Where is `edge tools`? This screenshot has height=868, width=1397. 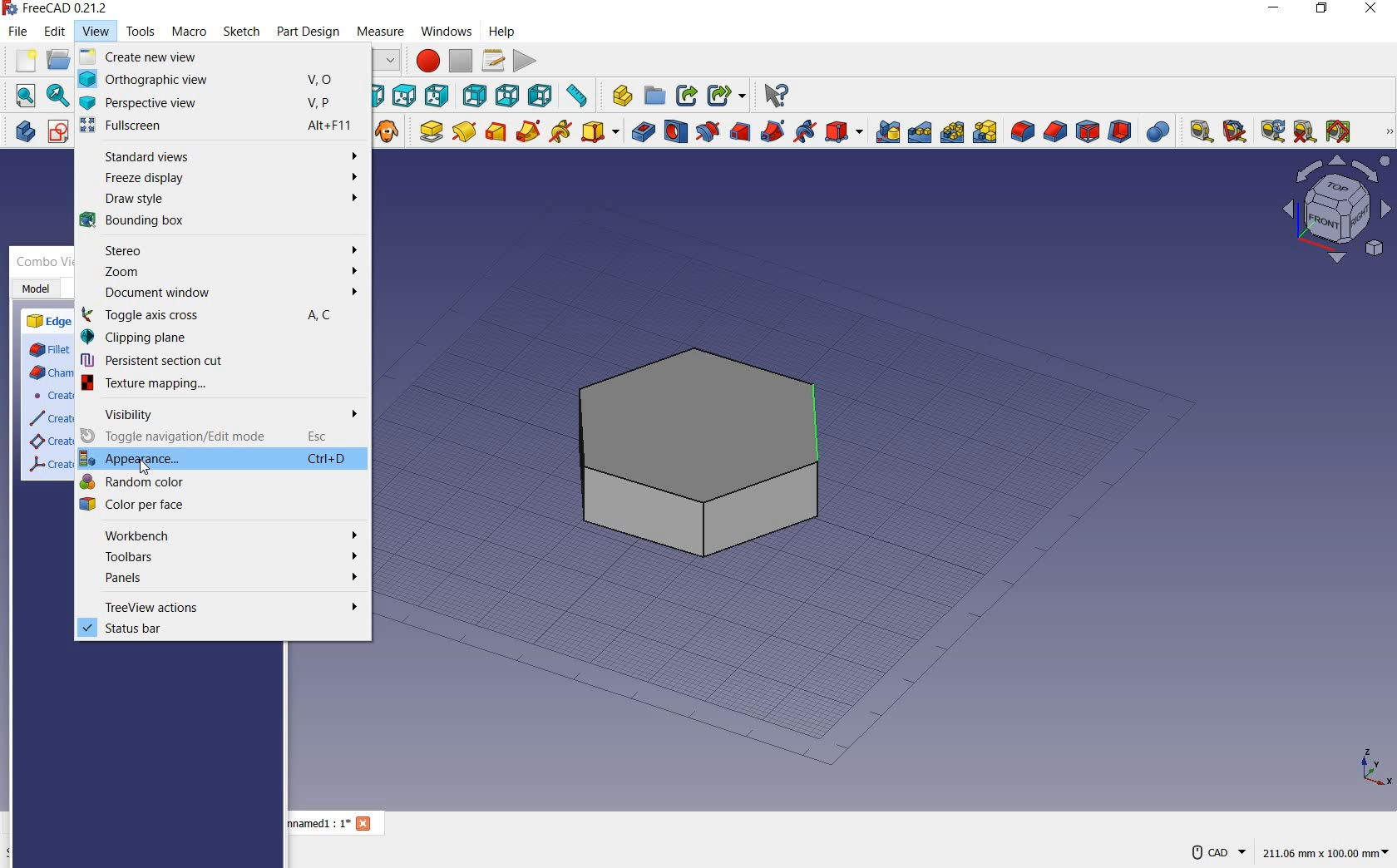 edge tools is located at coordinates (53, 323).